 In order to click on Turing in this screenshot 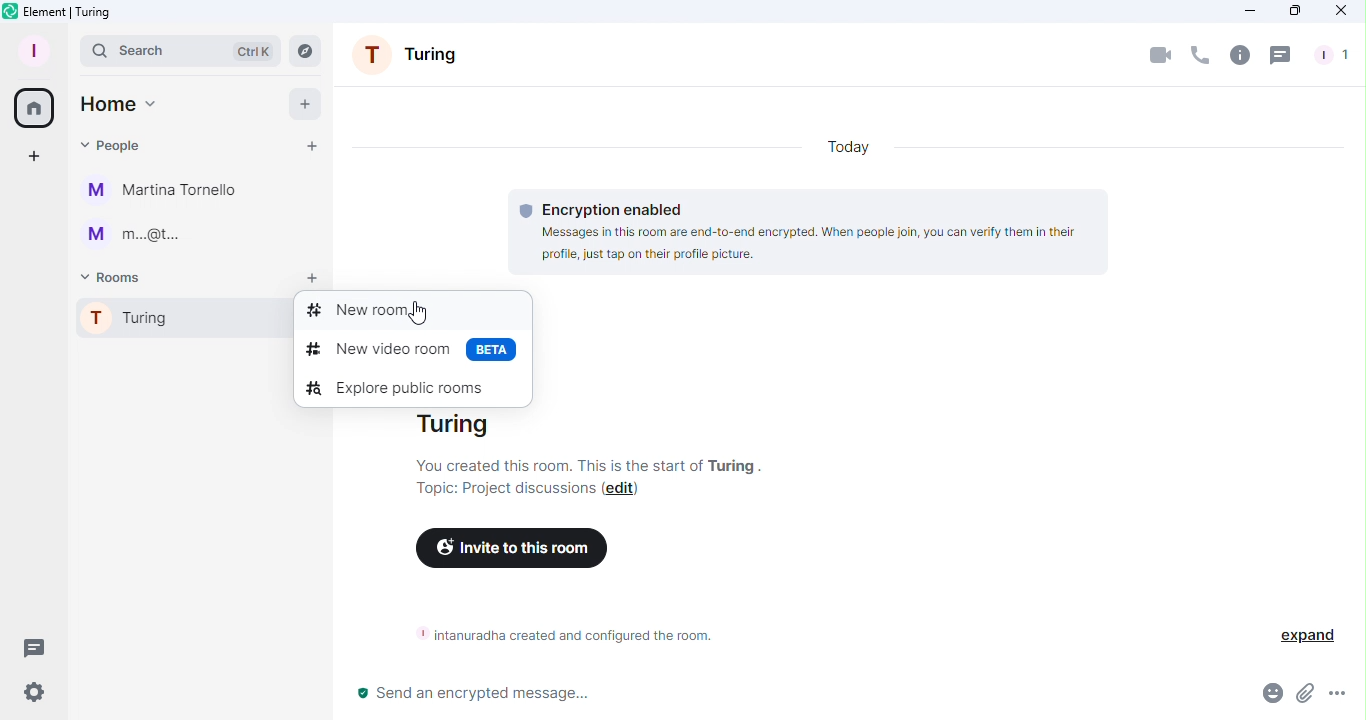, I will do `click(172, 321)`.